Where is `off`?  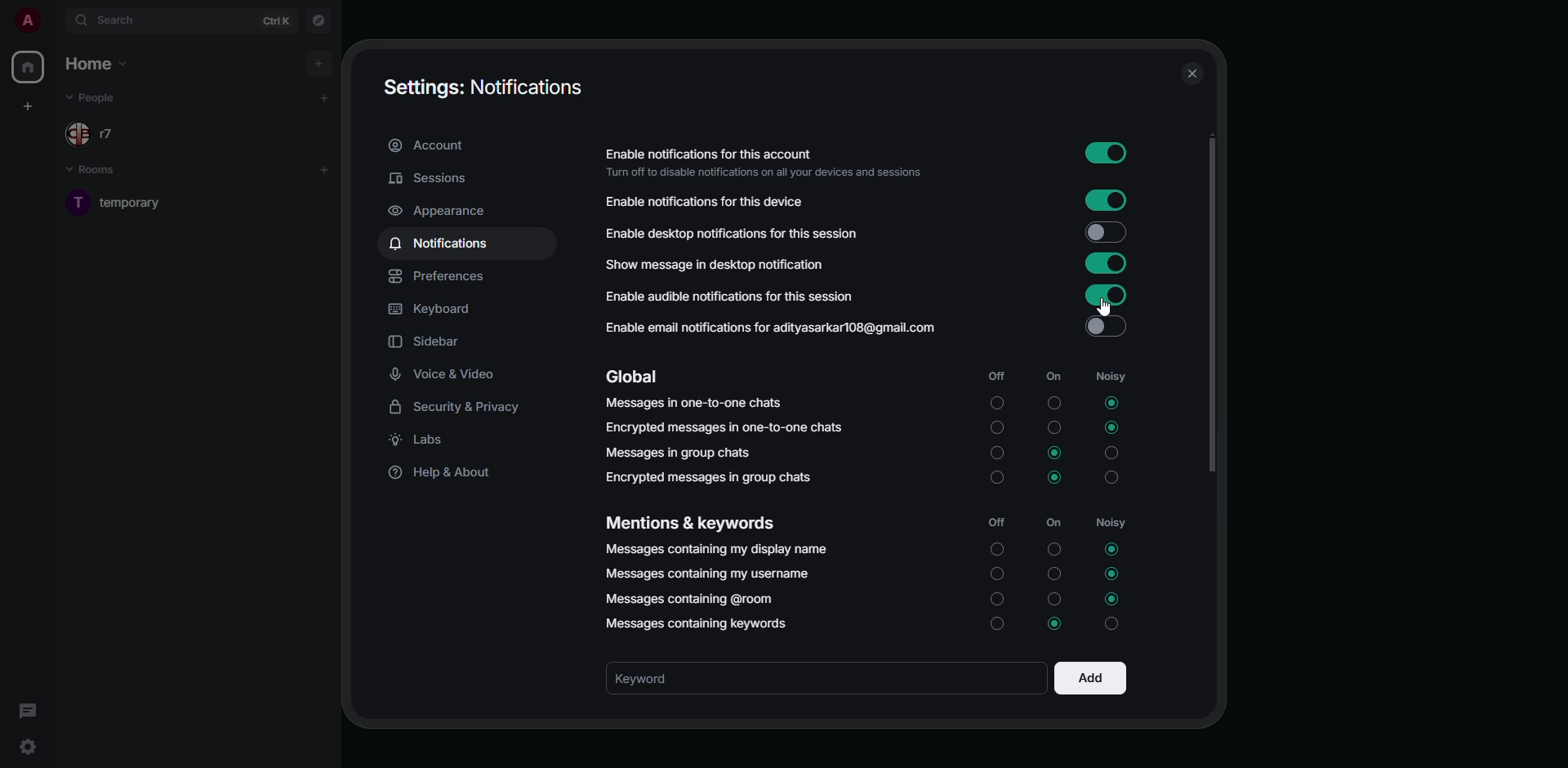
off is located at coordinates (995, 522).